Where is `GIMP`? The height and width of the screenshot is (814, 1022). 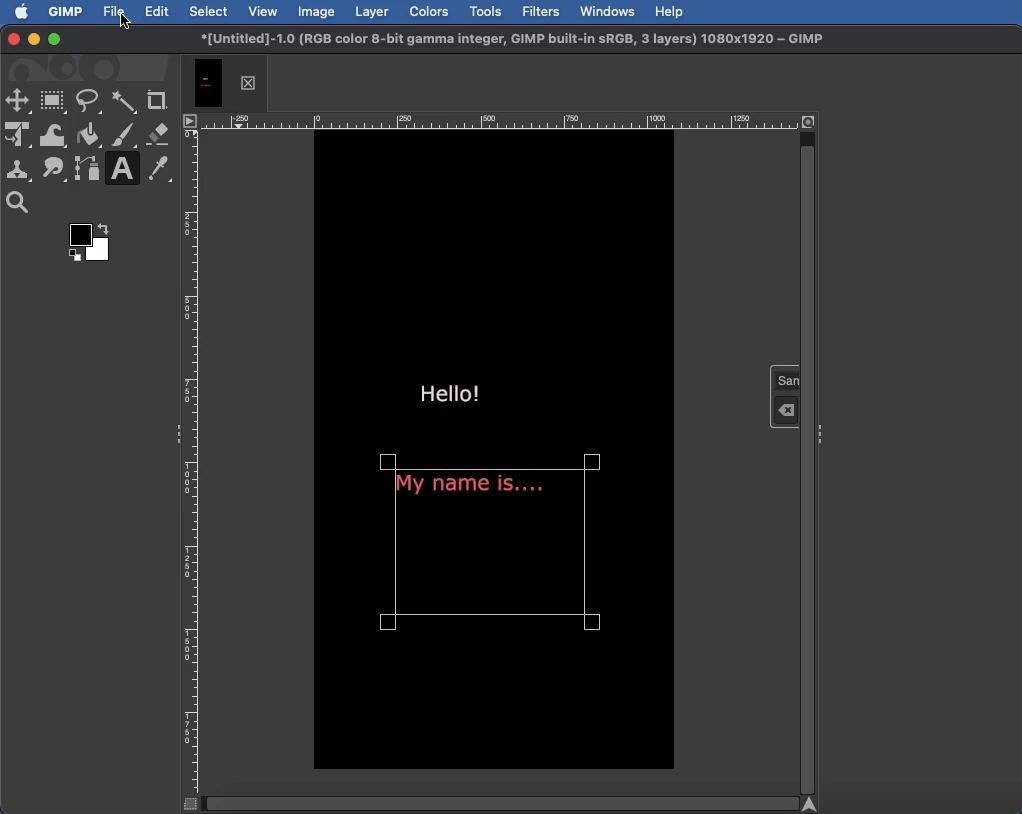 GIMP is located at coordinates (67, 12).